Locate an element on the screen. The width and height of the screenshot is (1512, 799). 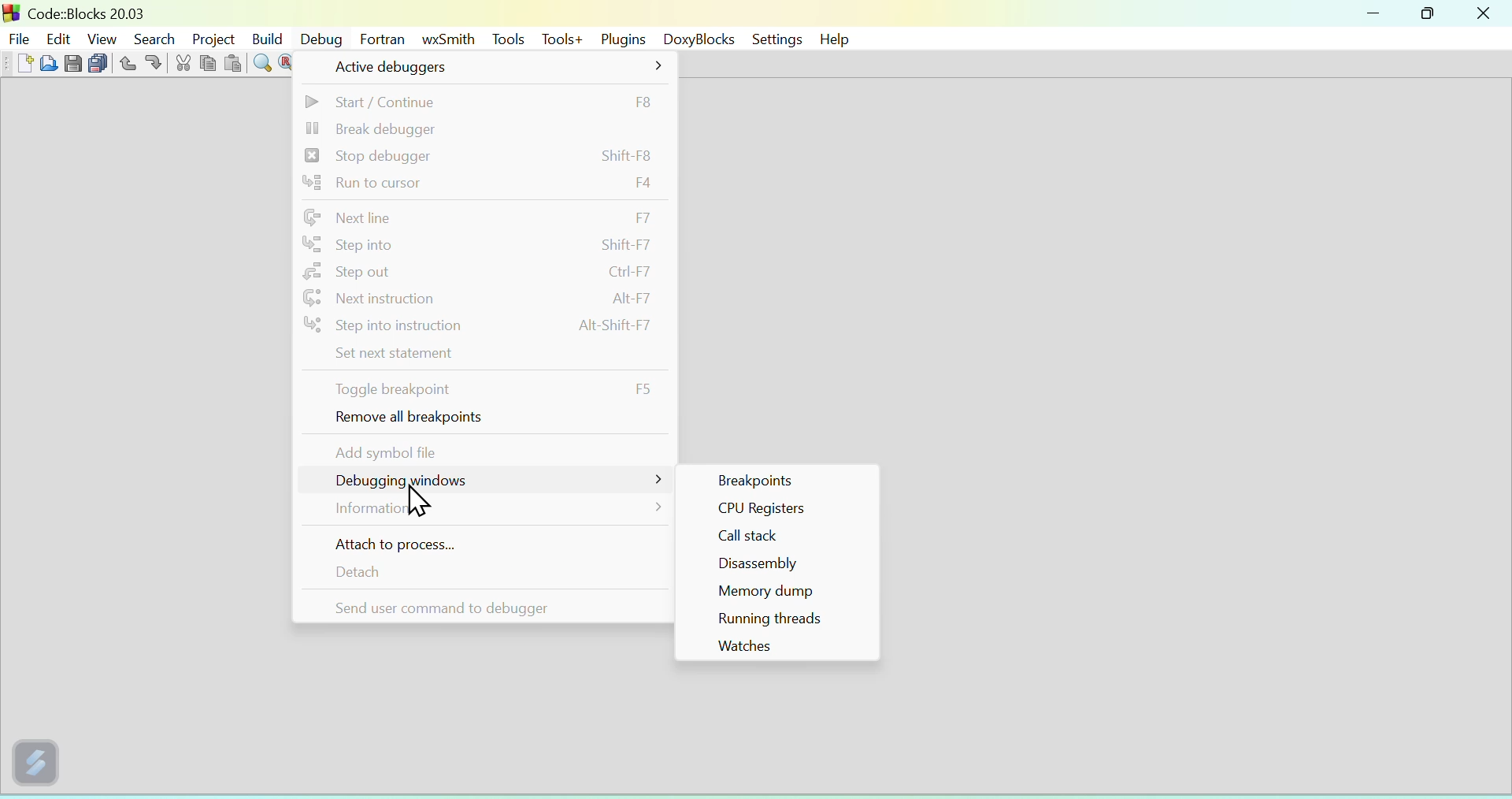
Disassembly is located at coordinates (778, 566).